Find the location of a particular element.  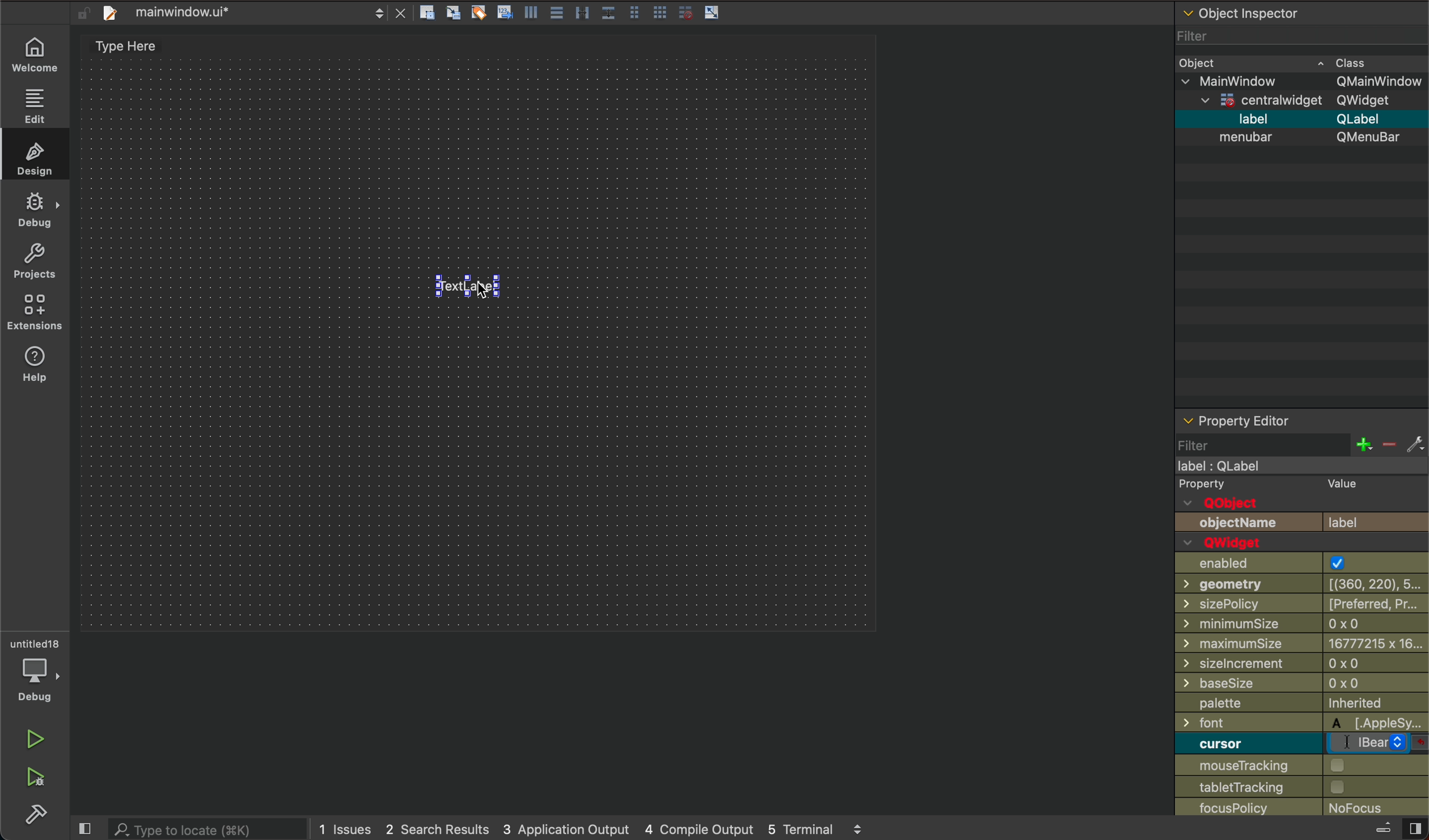

search is located at coordinates (208, 828).